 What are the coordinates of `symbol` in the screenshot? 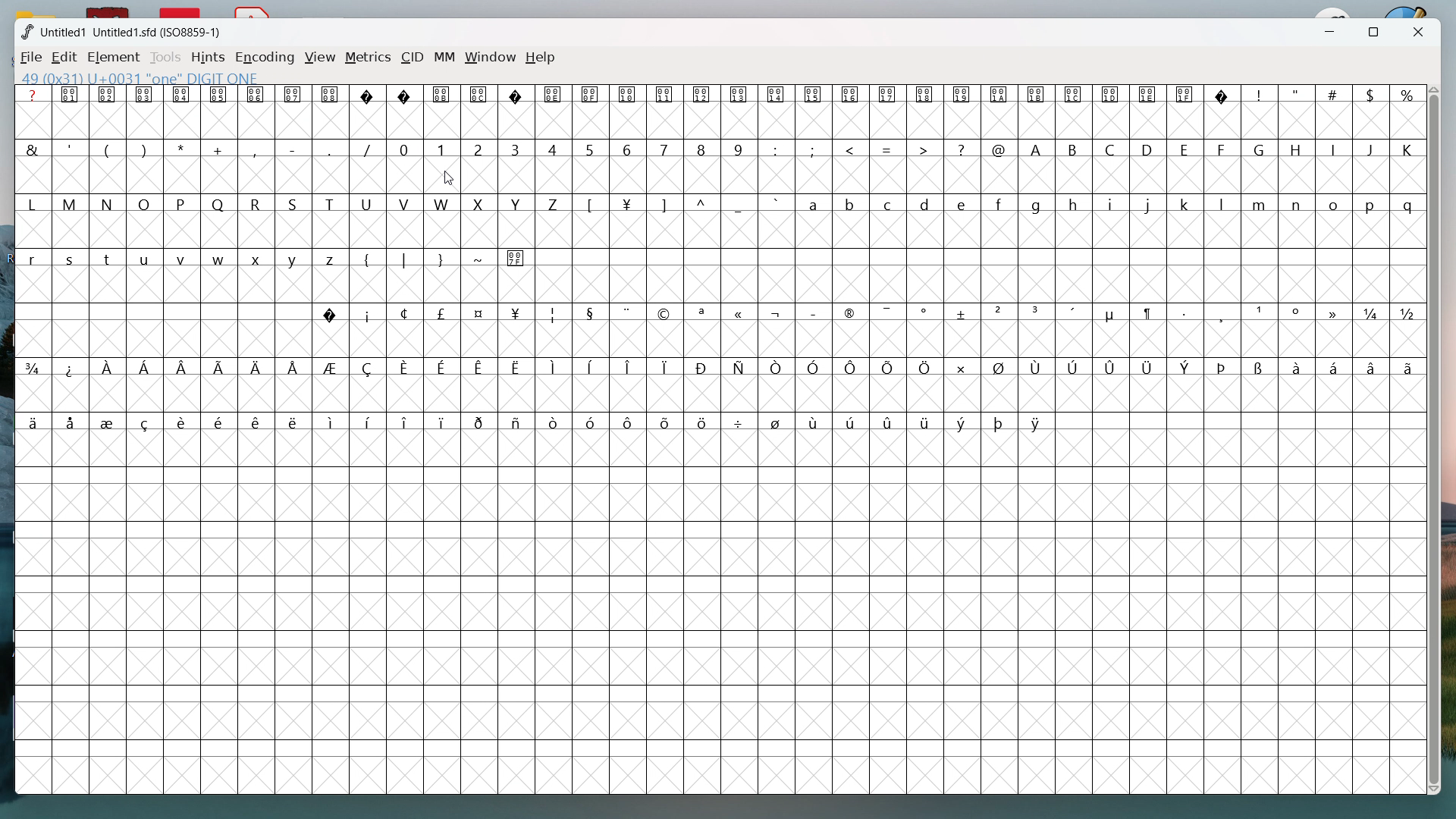 It's located at (218, 94).